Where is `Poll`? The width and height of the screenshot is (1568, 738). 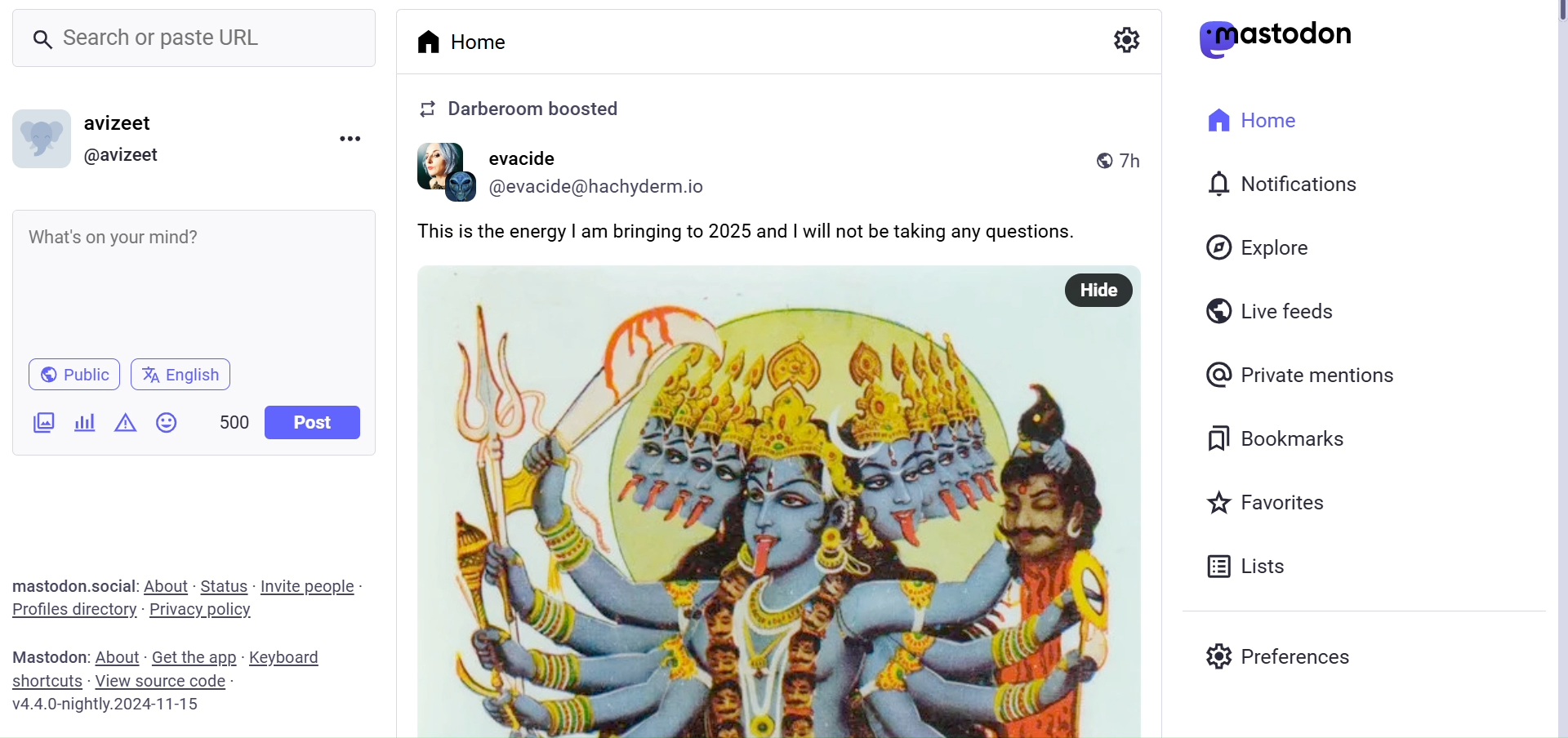 Poll is located at coordinates (87, 424).